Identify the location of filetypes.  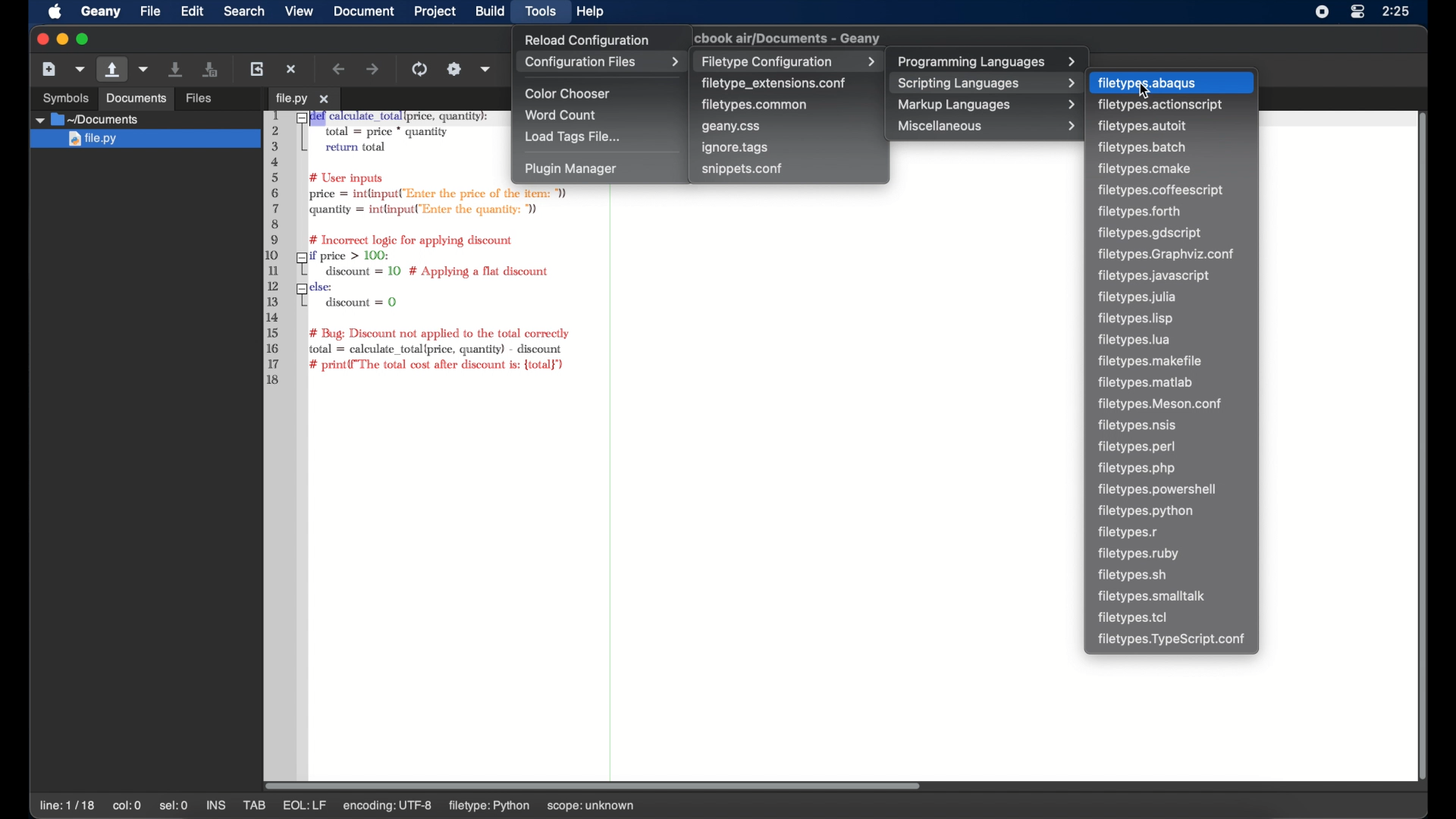
(1132, 576).